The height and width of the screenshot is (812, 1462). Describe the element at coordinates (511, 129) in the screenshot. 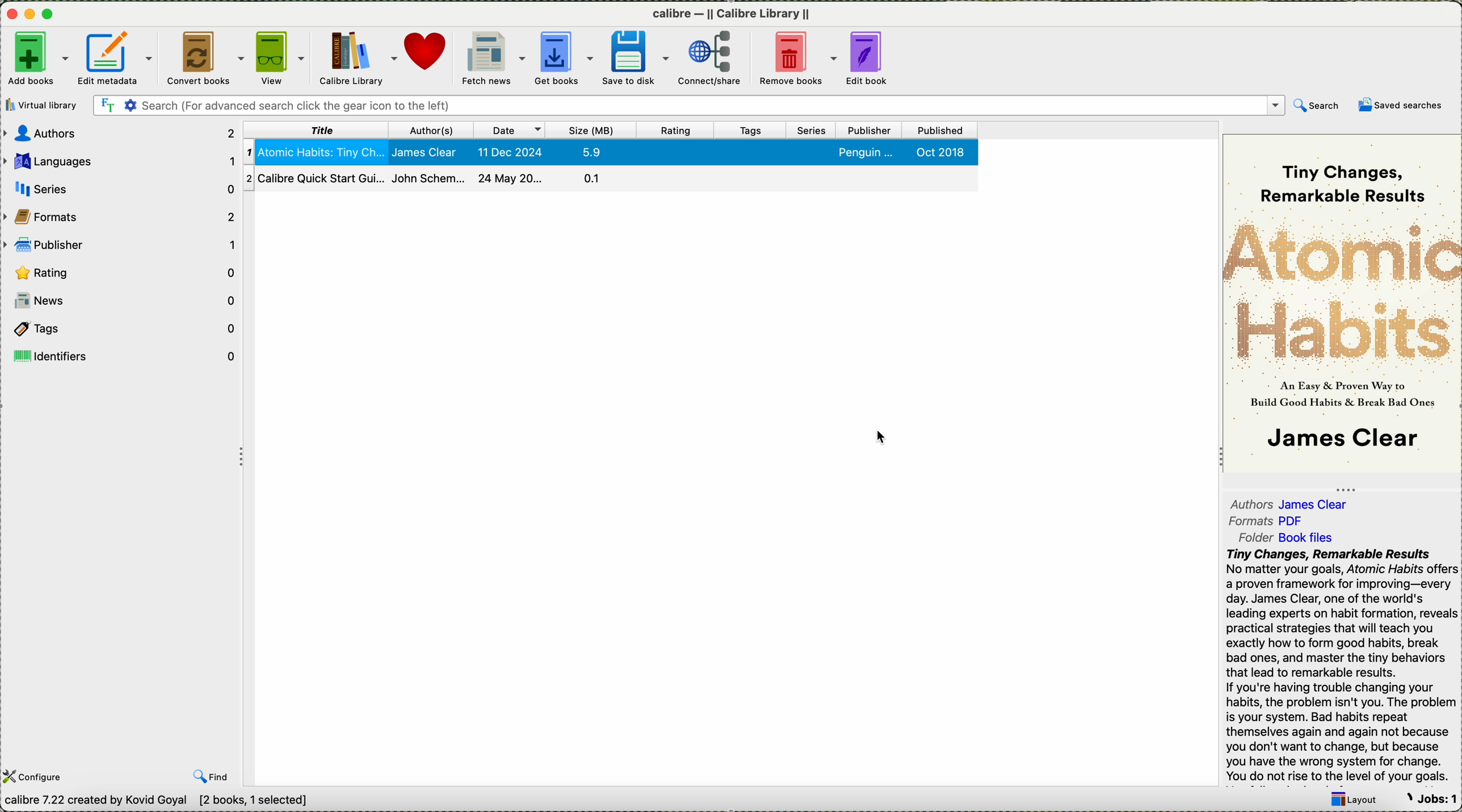

I see `date` at that location.